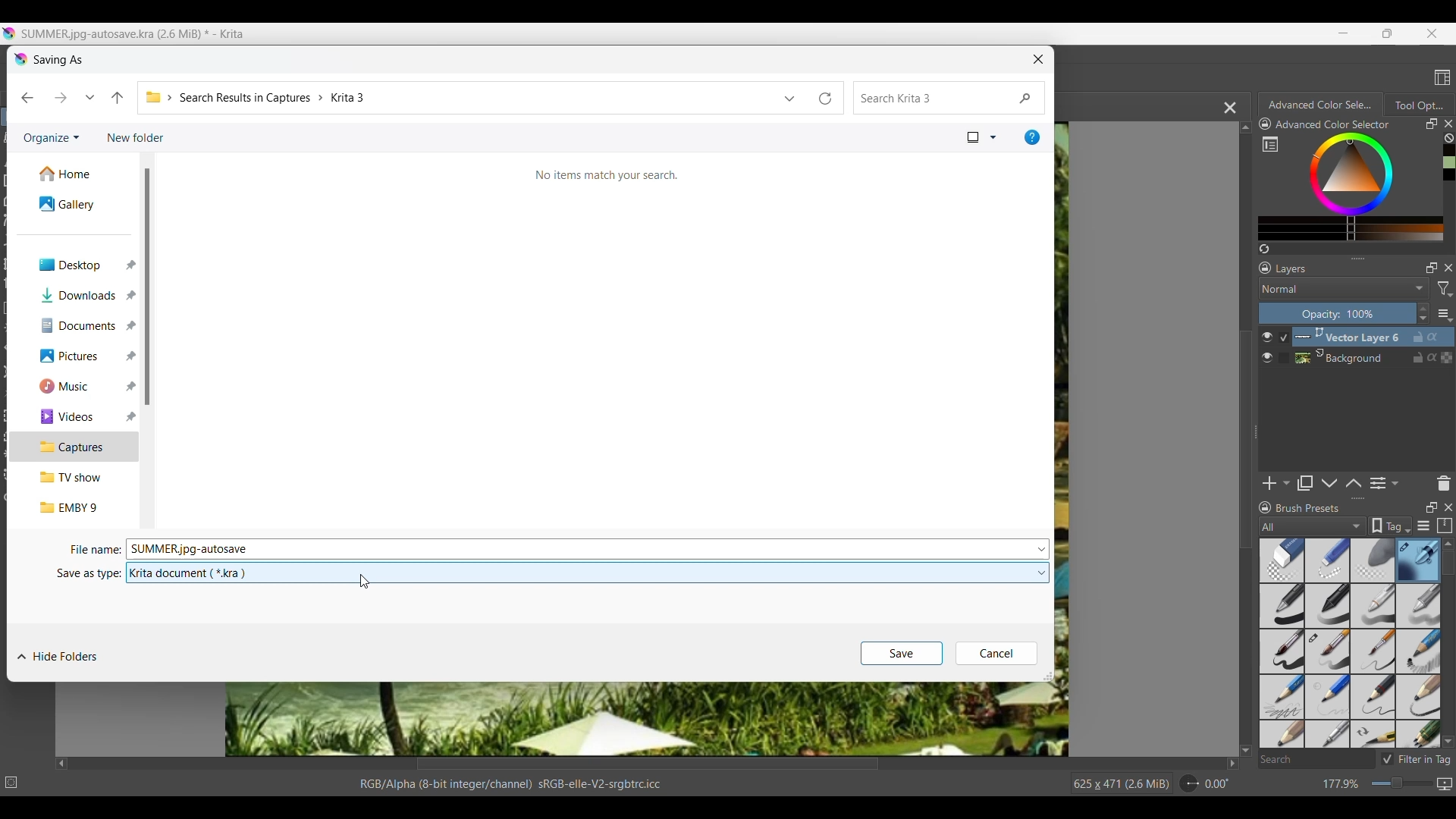  I want to click on Get help, so click(1032, 137).